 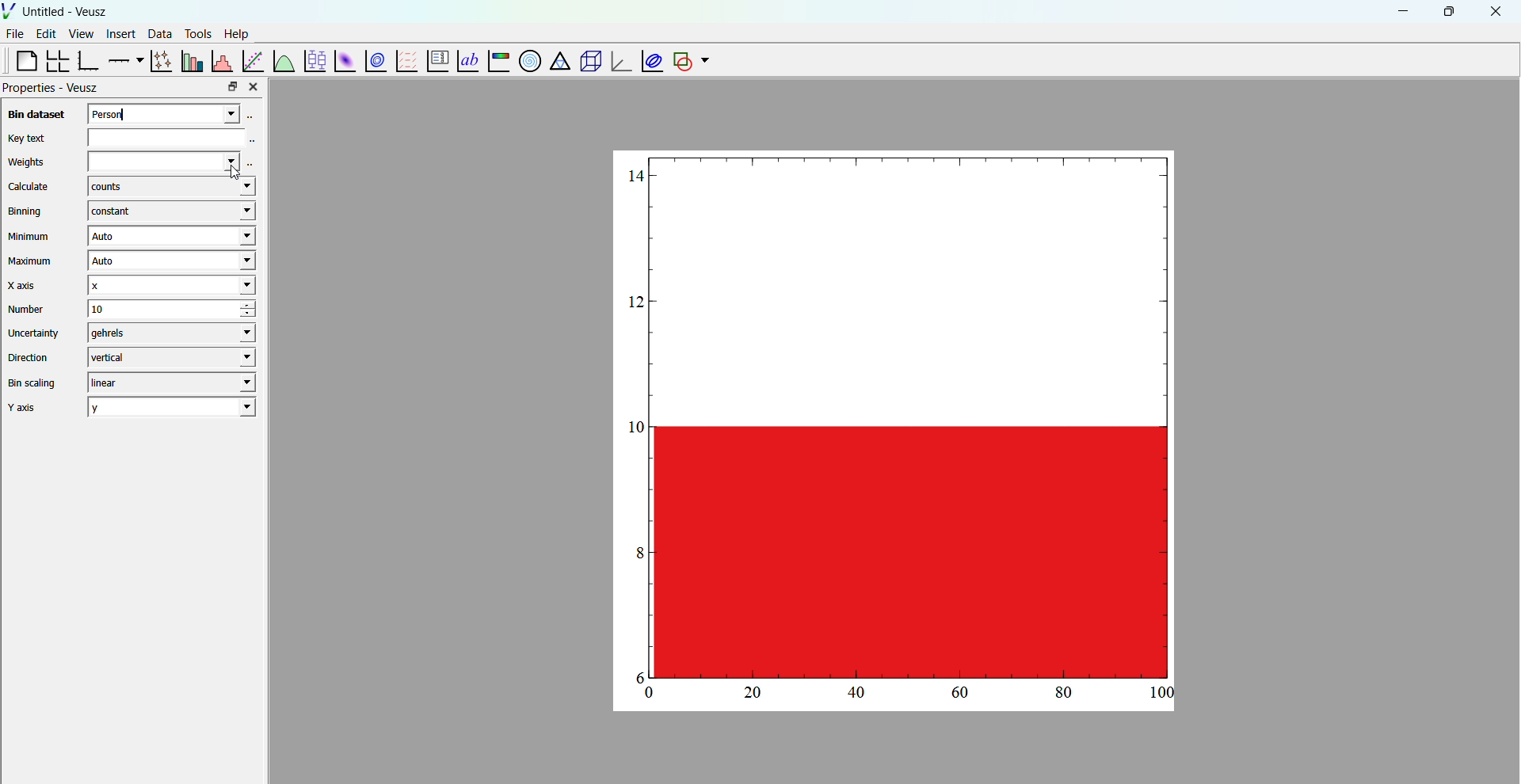 What do you see at coordinates (124, 59) in the screenshot?
I see `add an axis to a plot` at bounding box center [124, 59].